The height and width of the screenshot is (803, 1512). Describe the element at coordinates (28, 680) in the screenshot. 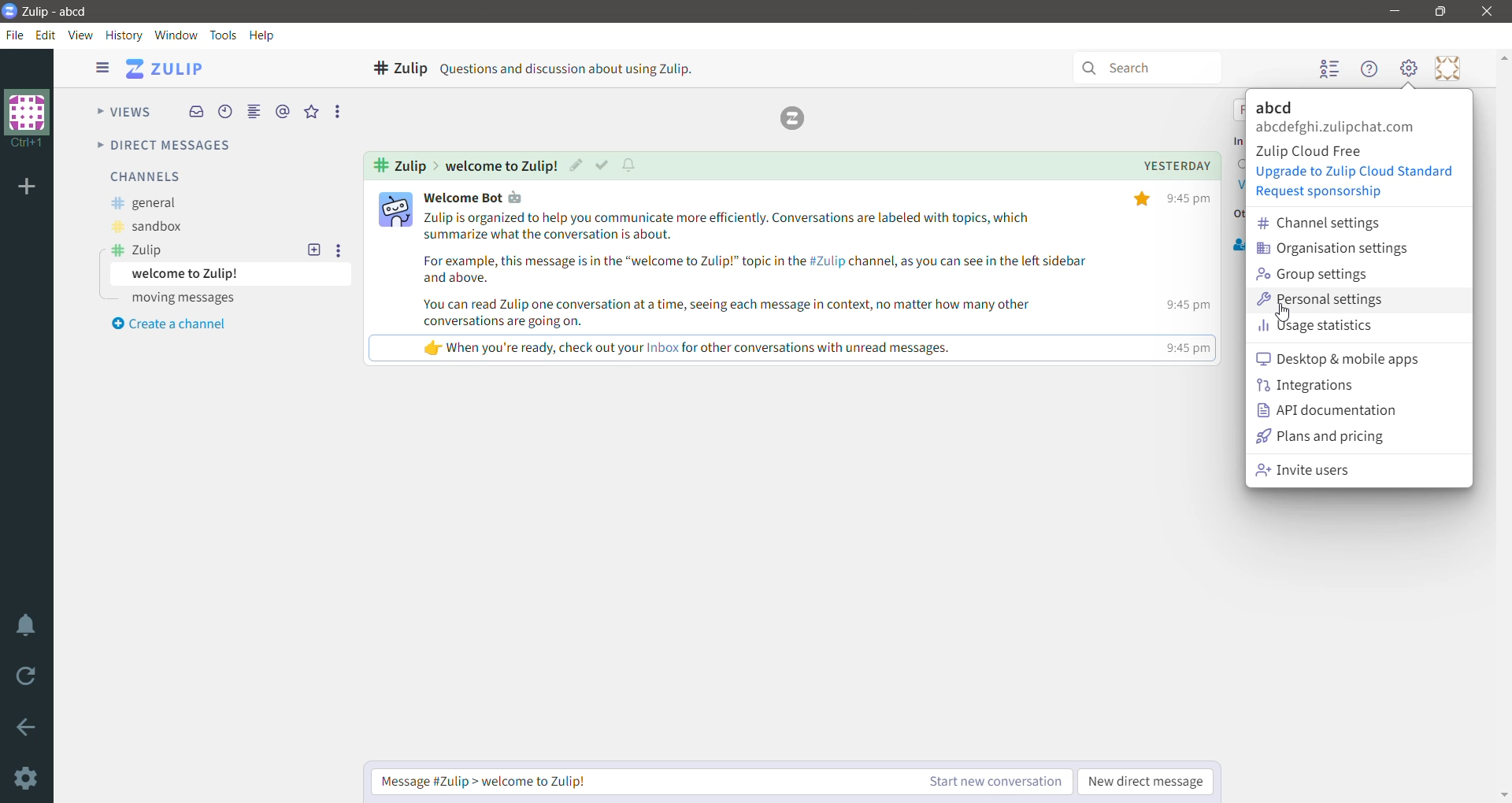

I see `Reload` at that location.